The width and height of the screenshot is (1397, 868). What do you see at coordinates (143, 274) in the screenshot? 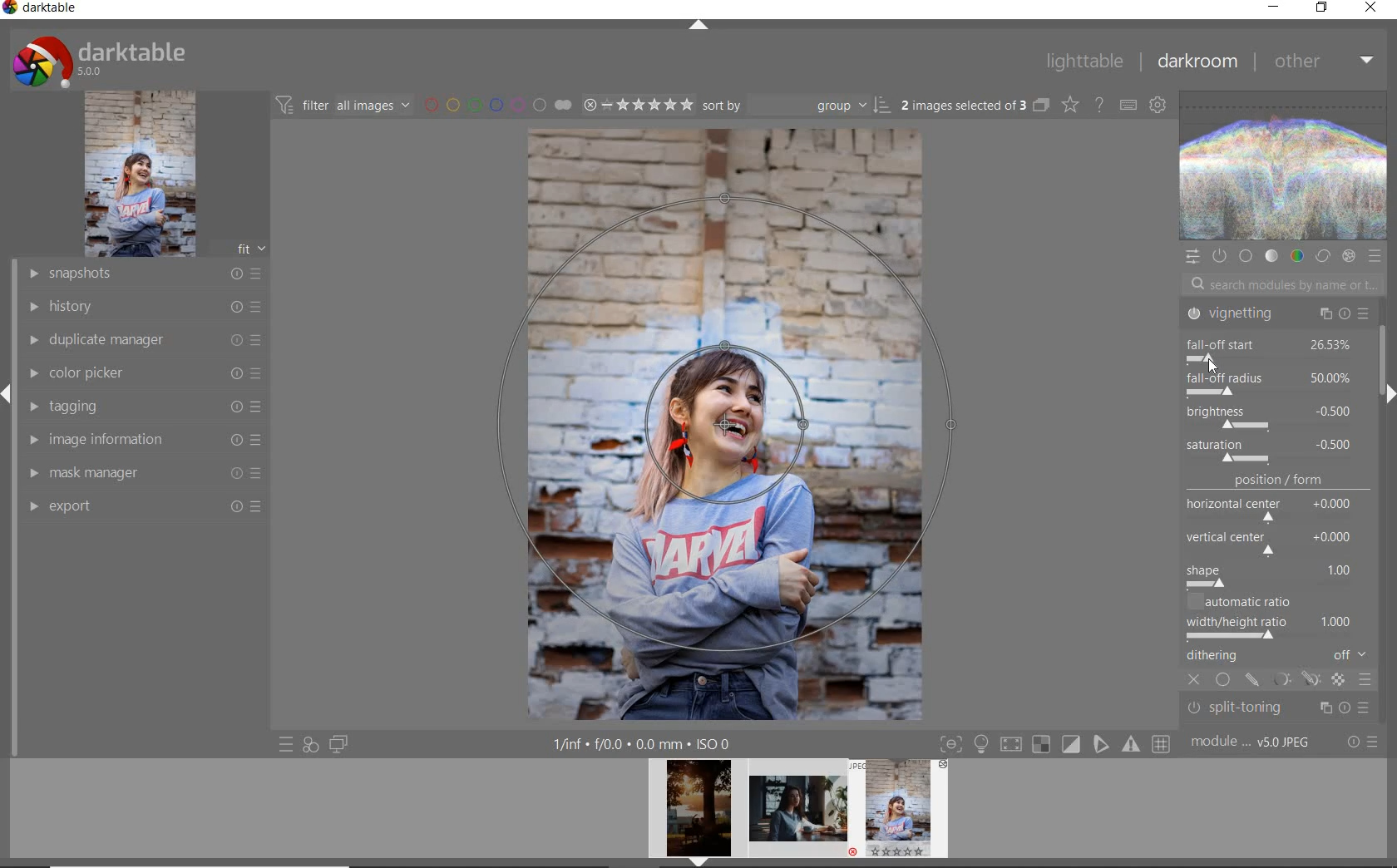
I see `snapshots` at bounding box center [143, 274].